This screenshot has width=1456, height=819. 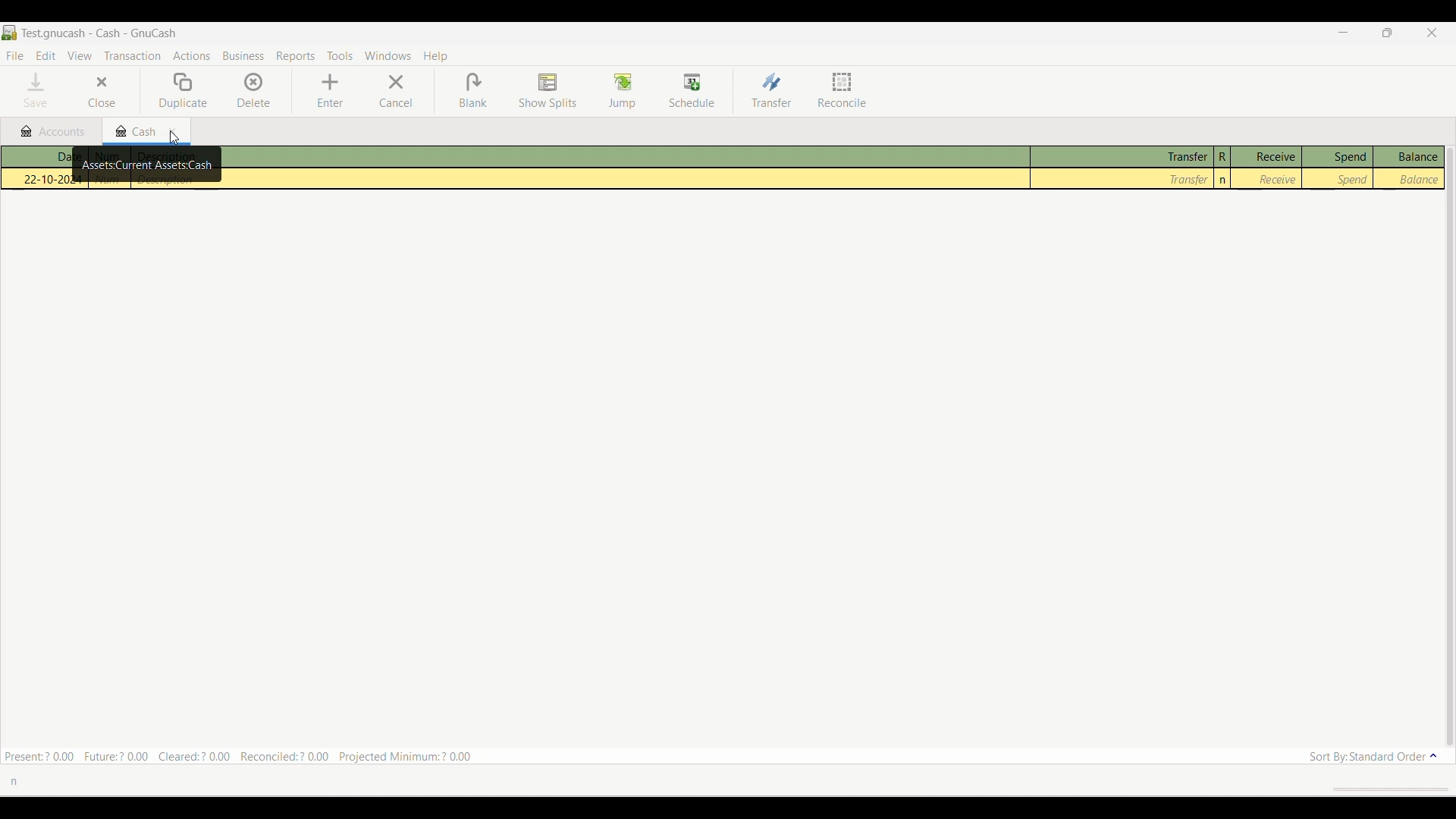 I want to click on Present:?0.00 Future:? 0.00 Cleared:?0.00 n Reconciled:? 0.00 Projected Minimum:? 0.00, so click(x=244, y=754).